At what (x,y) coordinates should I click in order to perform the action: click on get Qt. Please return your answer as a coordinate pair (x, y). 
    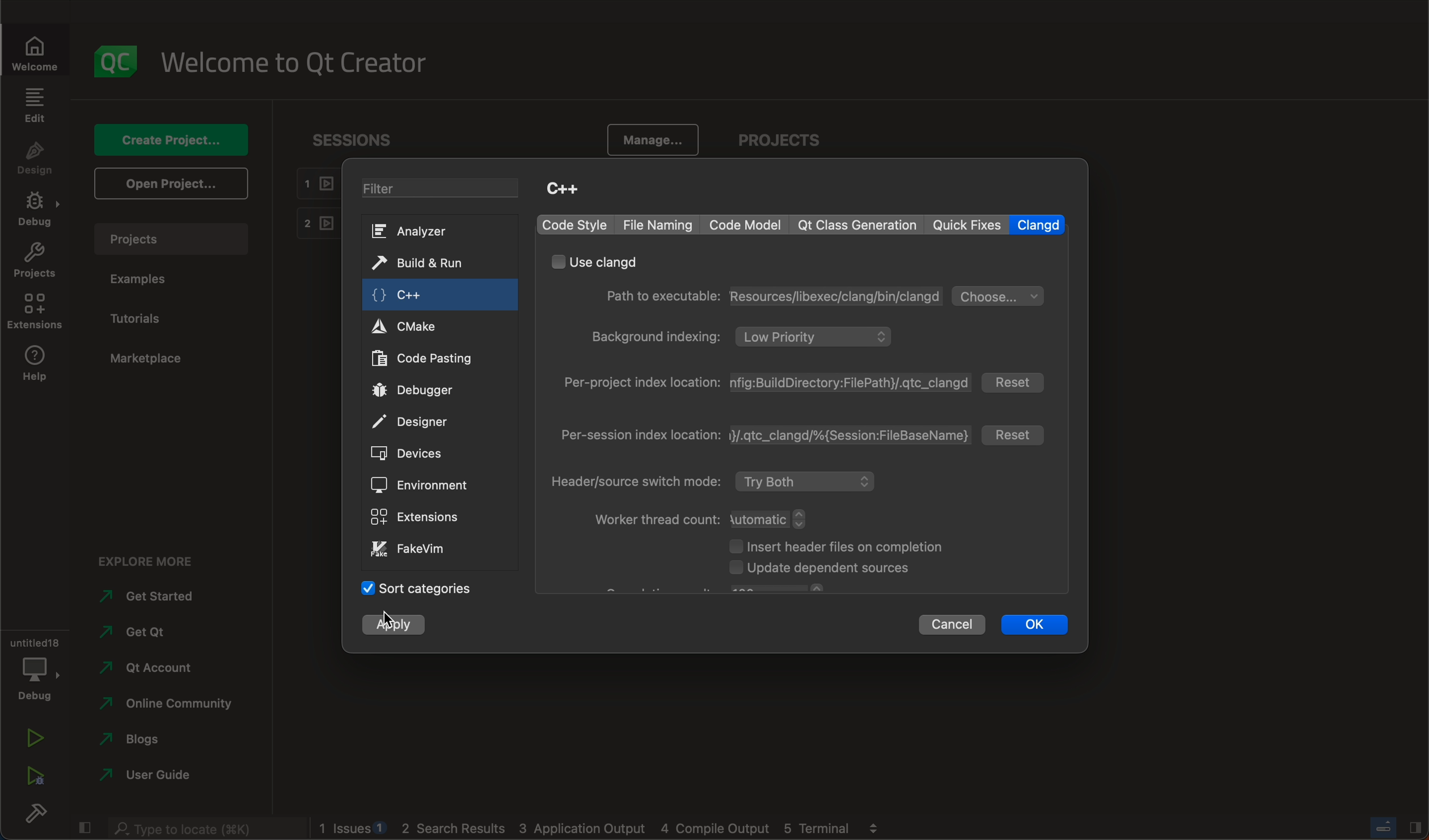
    Looking at the image, I should click on (139, 633).